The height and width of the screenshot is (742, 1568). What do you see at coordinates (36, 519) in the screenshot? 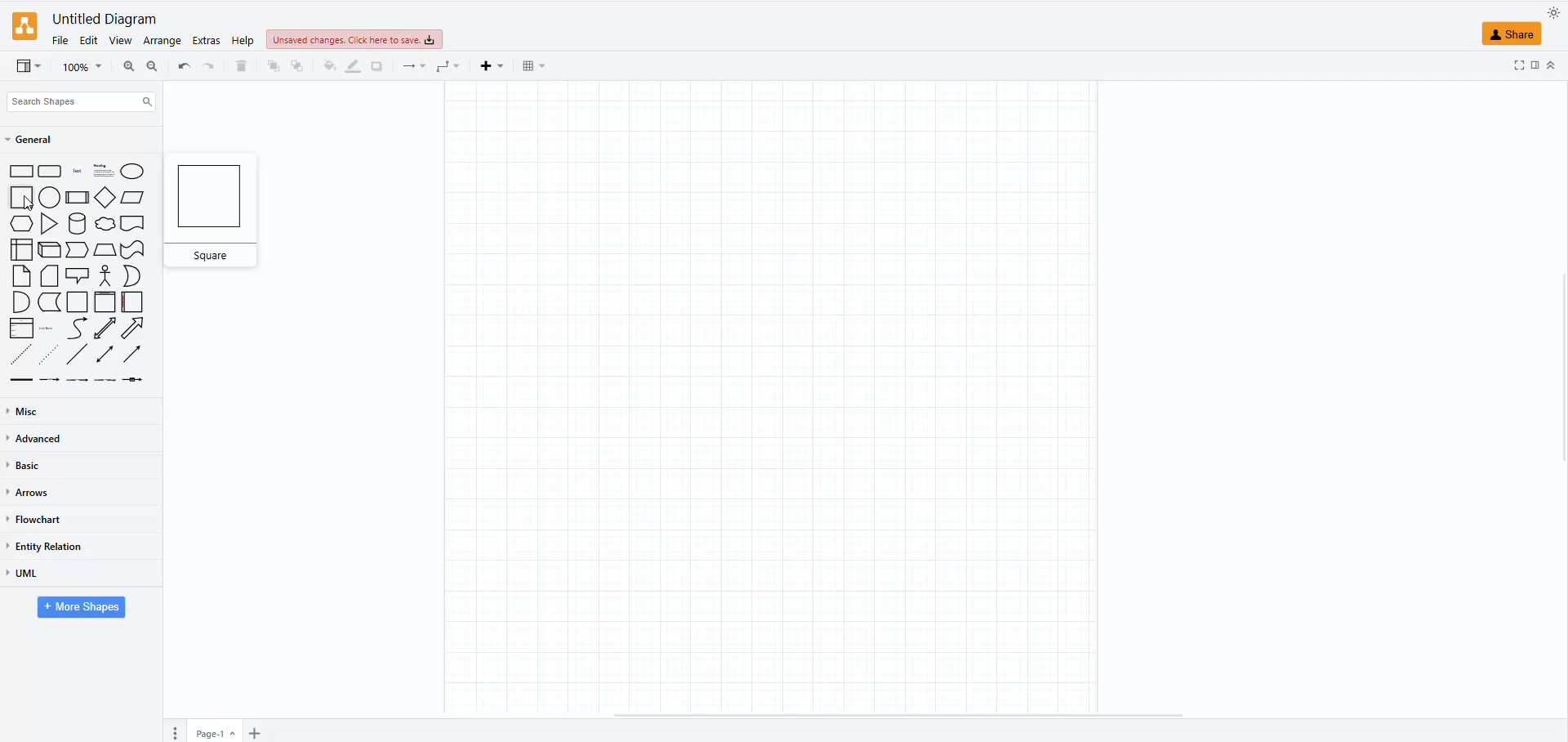
I see `flowchart` at bounding box center [36, 519].